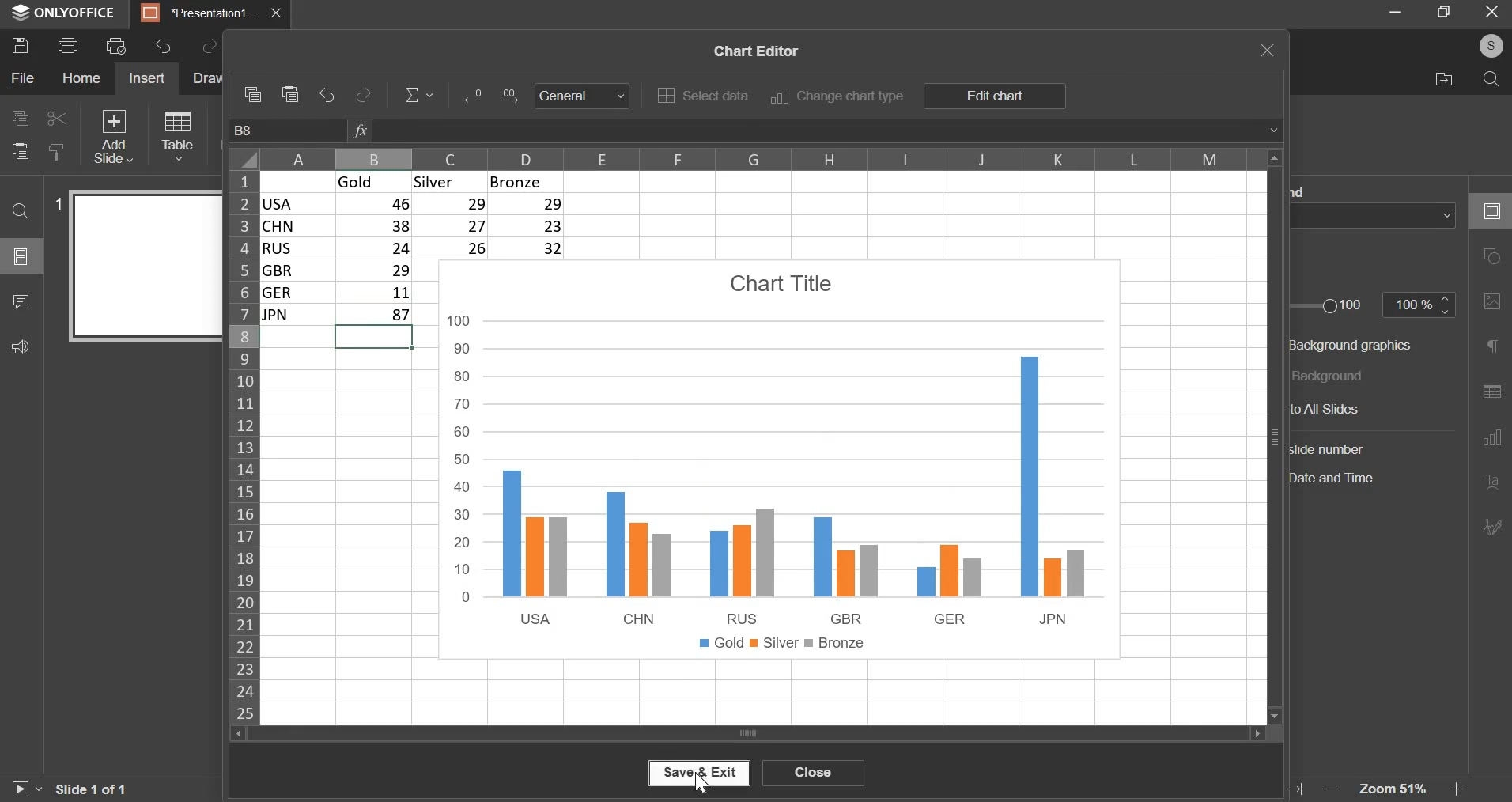 The height and width of the screenshot is (802, 1512). Describe the element at coordinates (210, 47) in the screenshot. I see `redo` at that location.